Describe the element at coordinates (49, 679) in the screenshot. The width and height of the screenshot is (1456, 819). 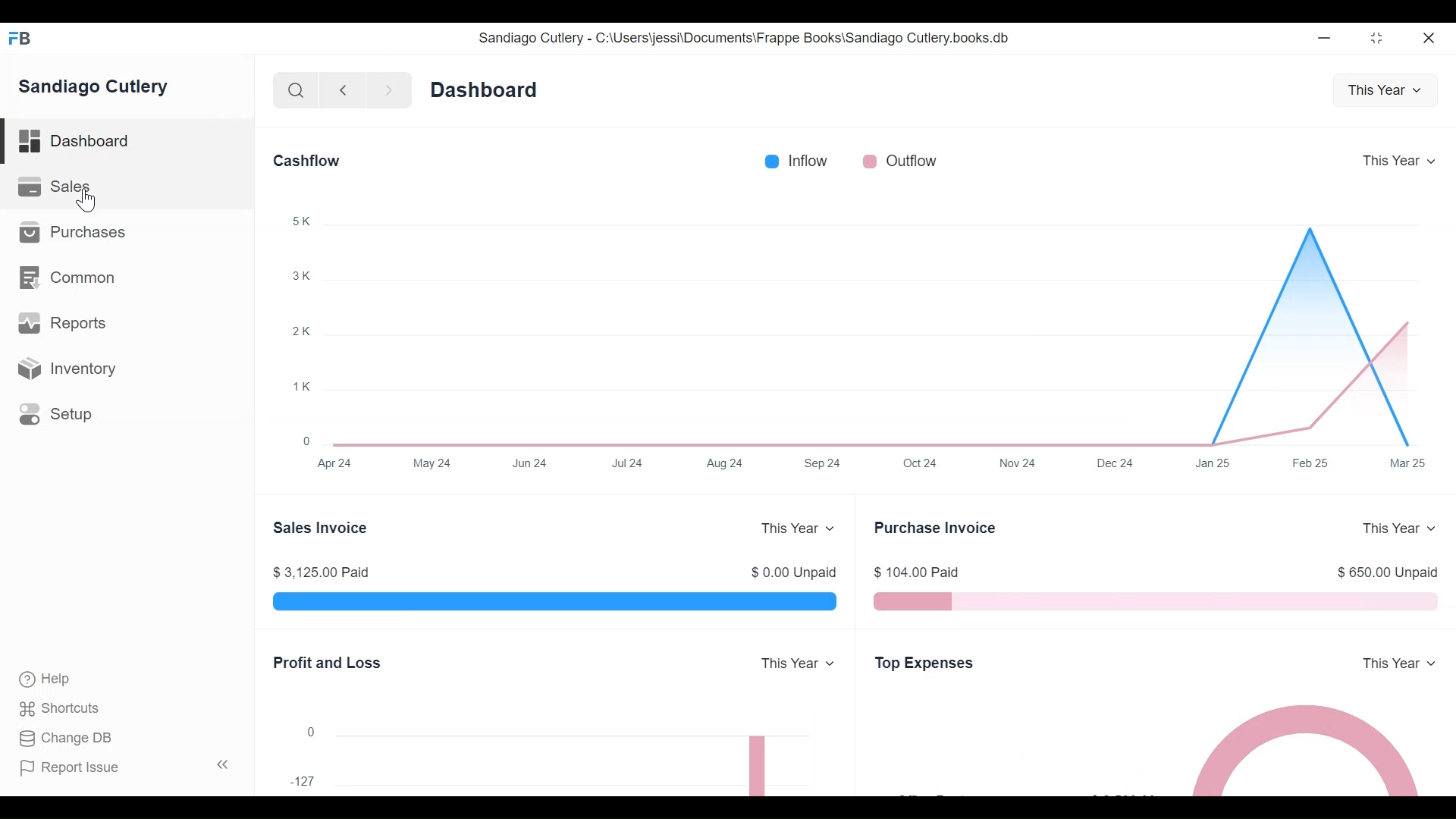
I see `Help` at that location.